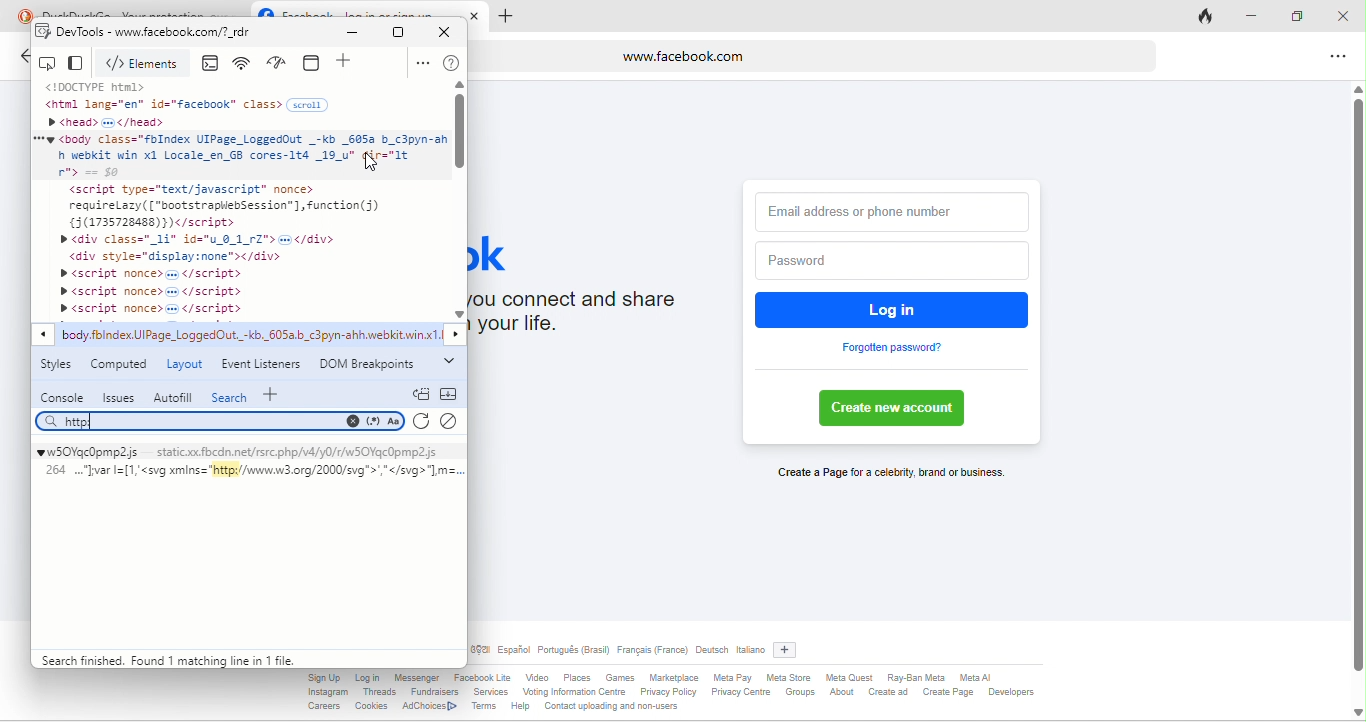 The image size is (1366, 722). Describe the element at coordinates (420, 422) in the screenshot. I see `refresh` at that location.